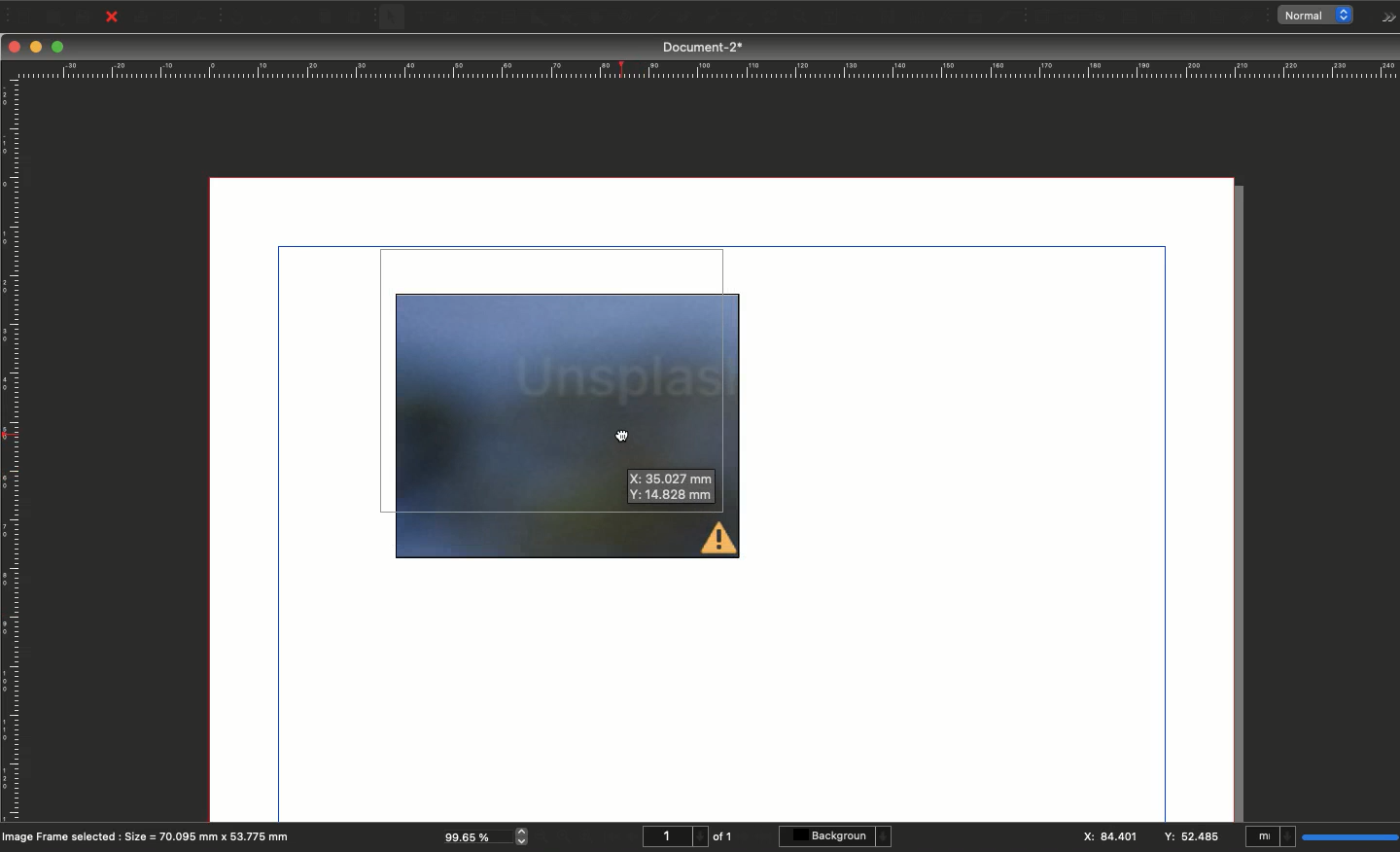  Describe the element at coordinates (1040, 17) in the screenshot. I see `PDF push button` at that location.